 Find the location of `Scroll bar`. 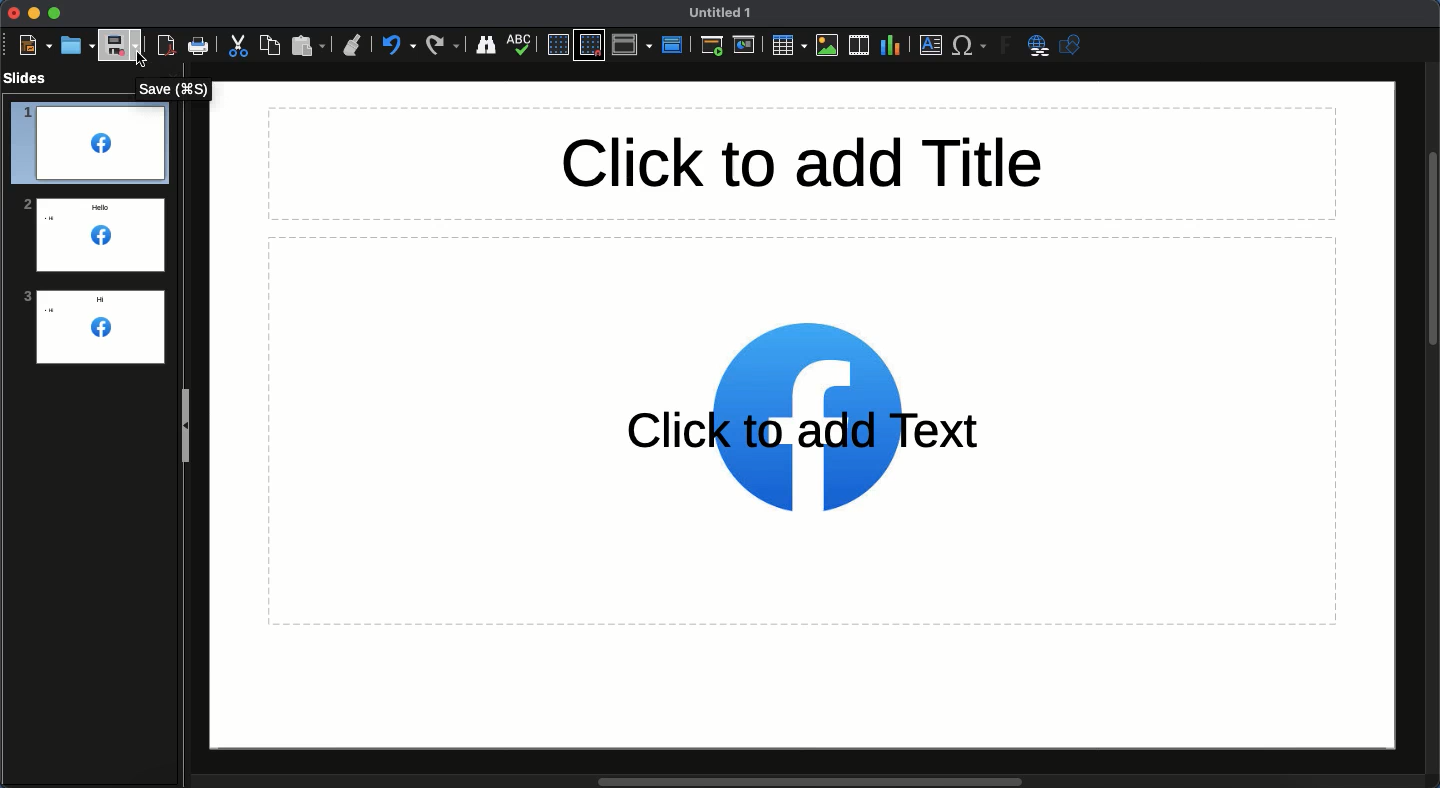

Scroll bar is located at coordinates (811, 782).